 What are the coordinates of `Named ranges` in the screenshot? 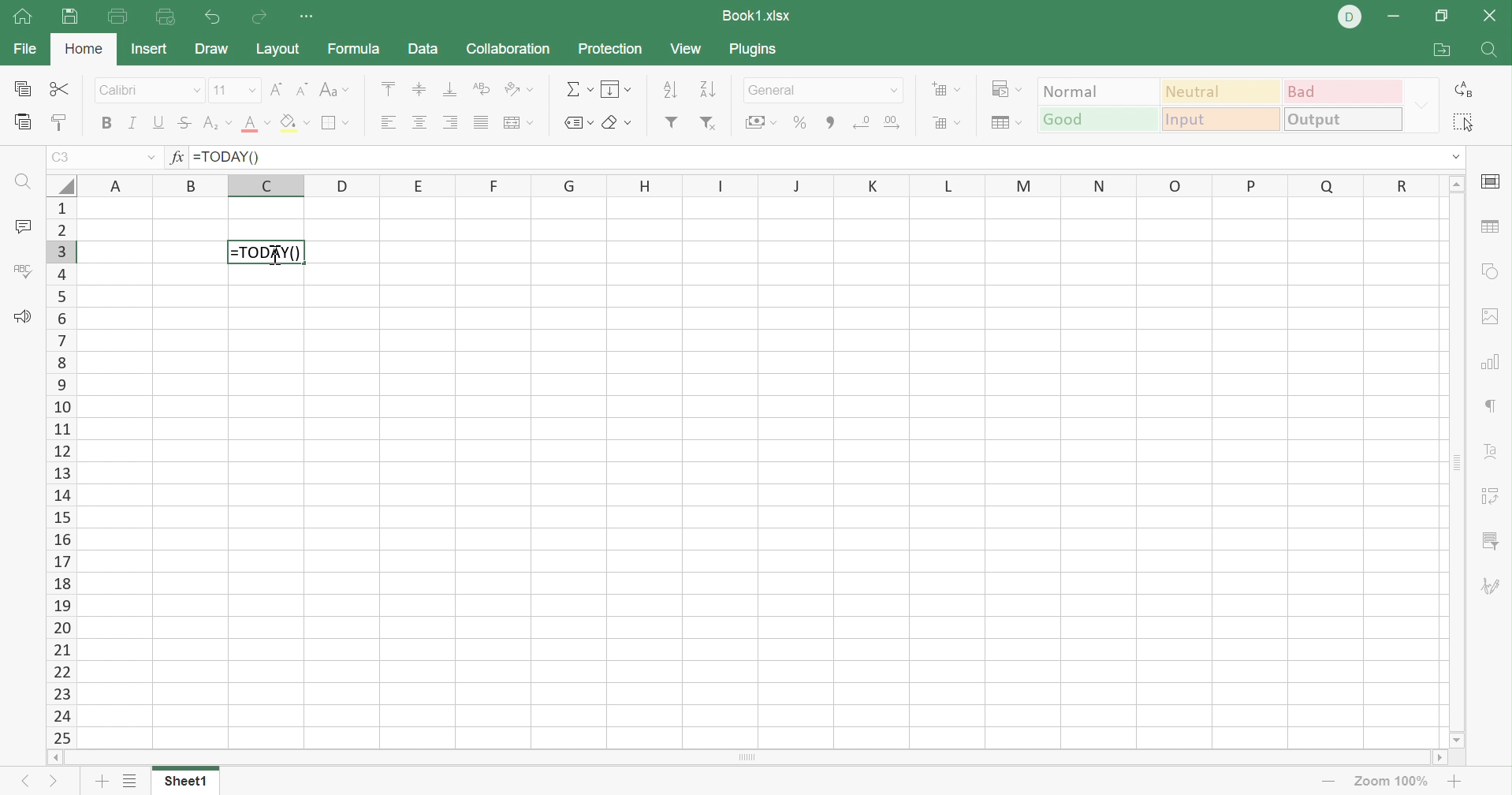 It's located at (578, 122).